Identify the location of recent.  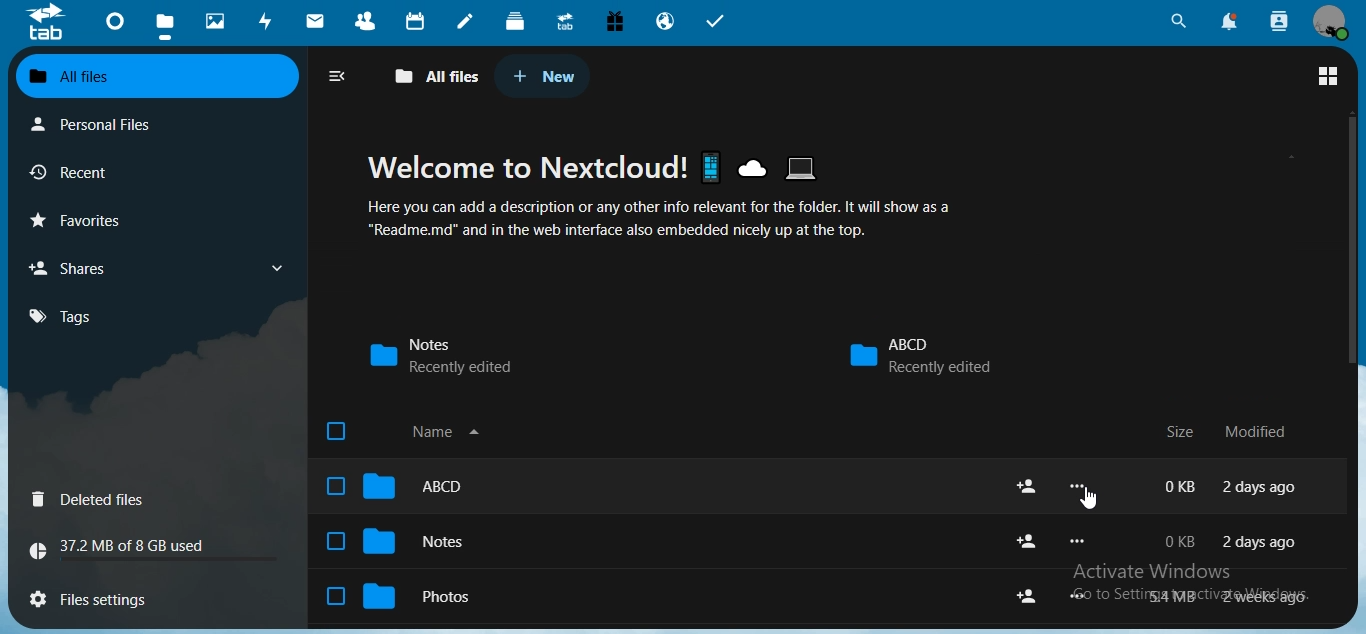
(71, 171).